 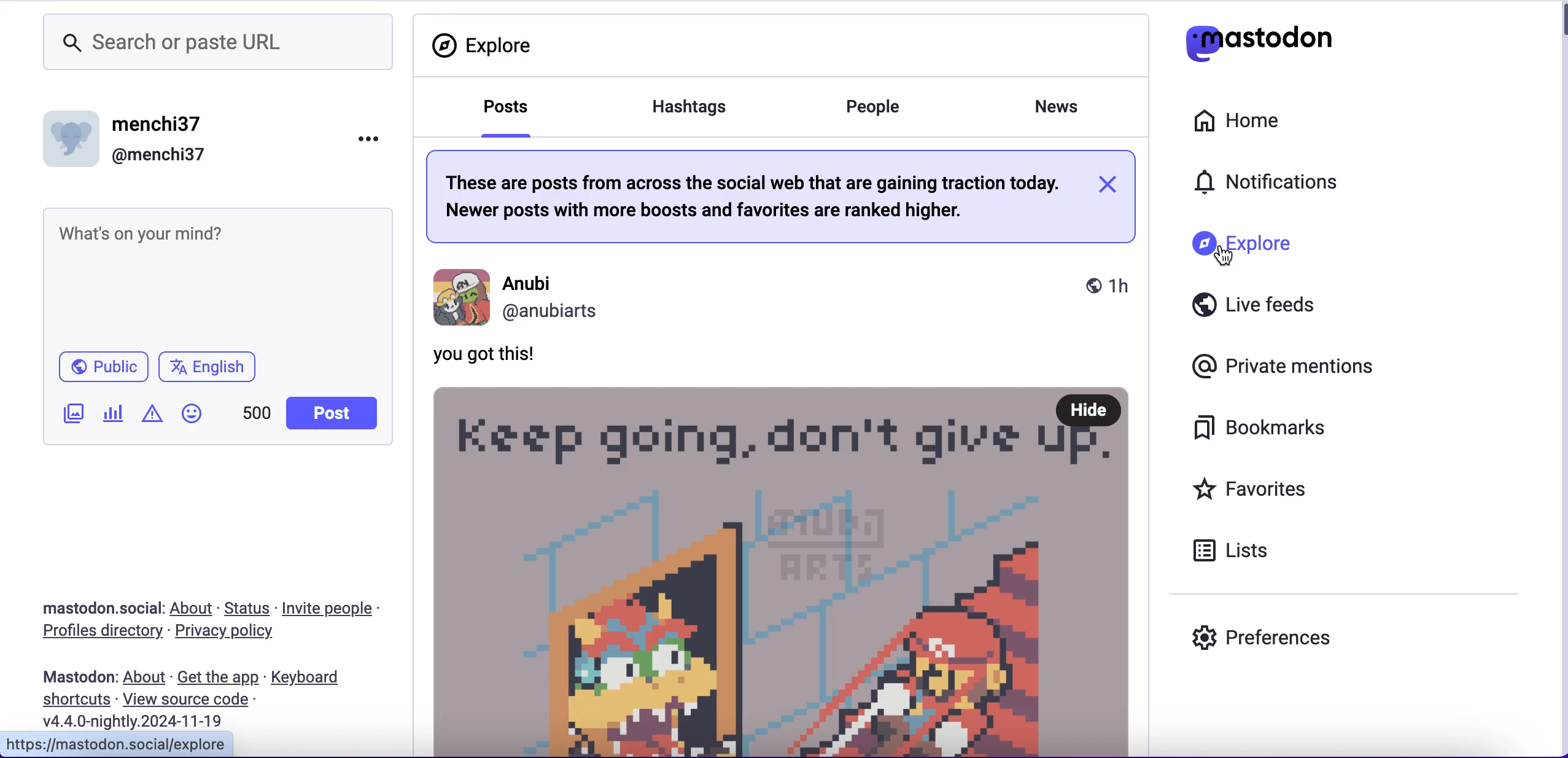 I want to click on mastodon, so click(x=79, y=679).